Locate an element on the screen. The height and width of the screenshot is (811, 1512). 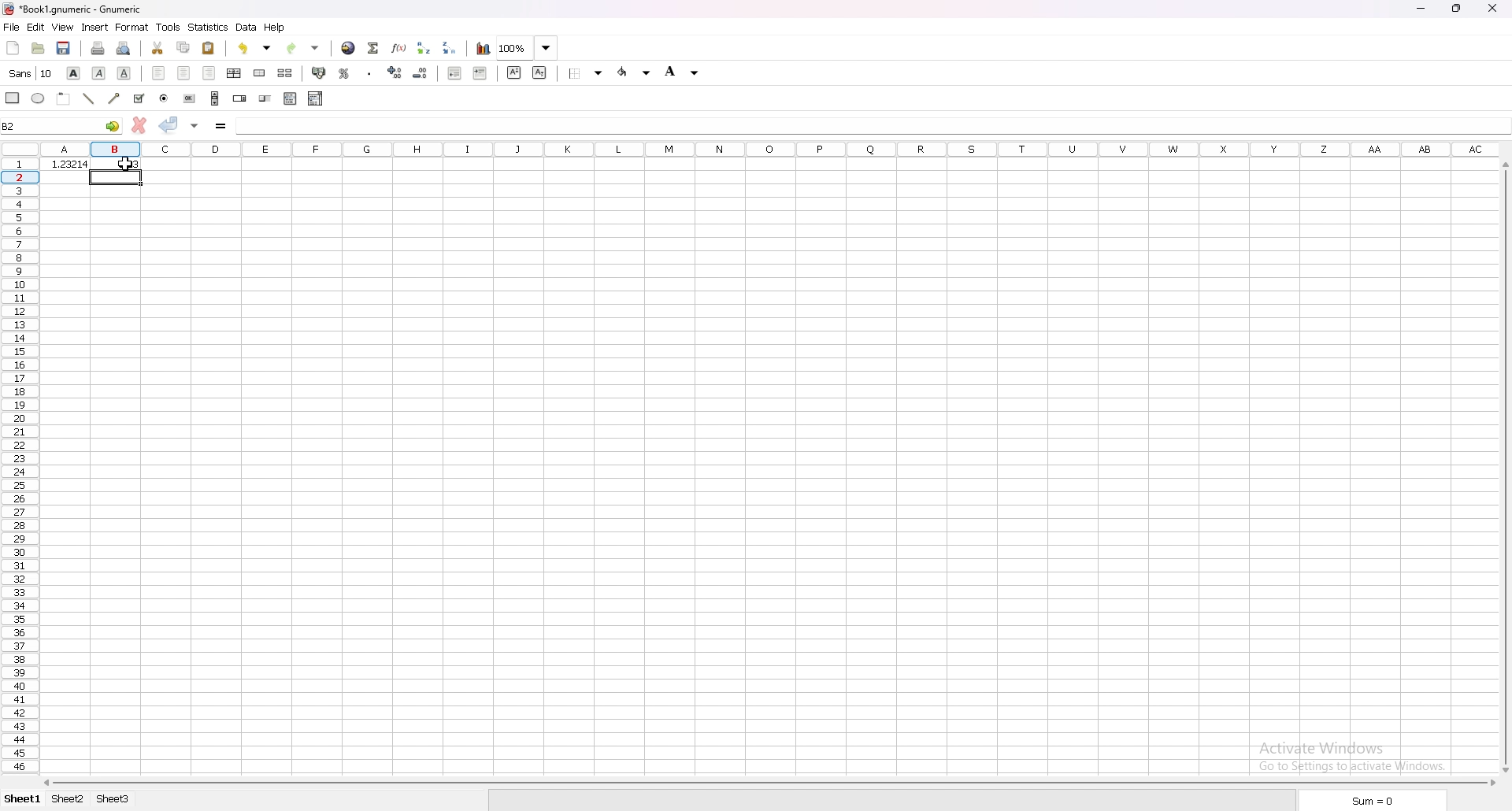
tools is located at coordinates (169, 27).